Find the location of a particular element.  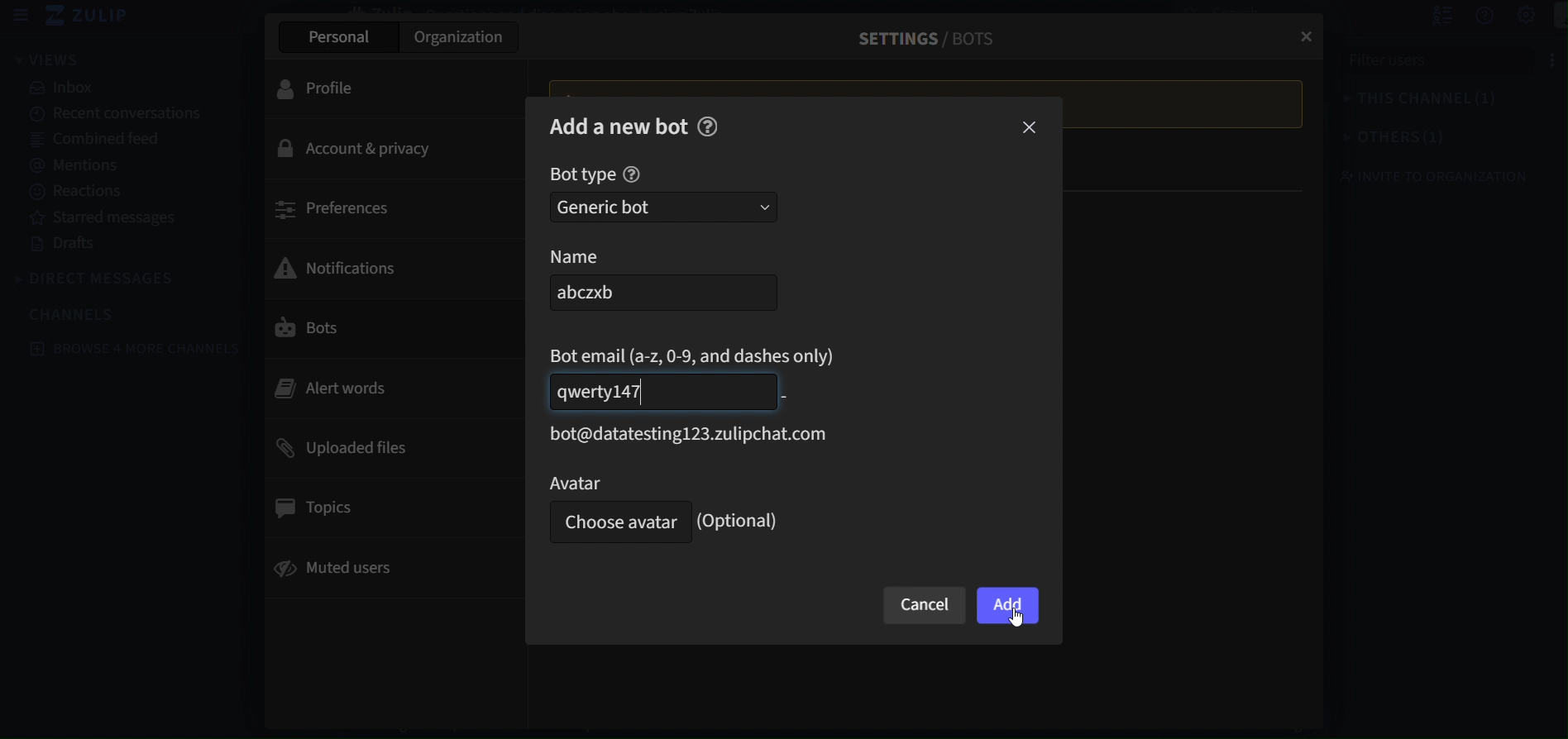

qwerty147 is located at coordinates (662, 391).